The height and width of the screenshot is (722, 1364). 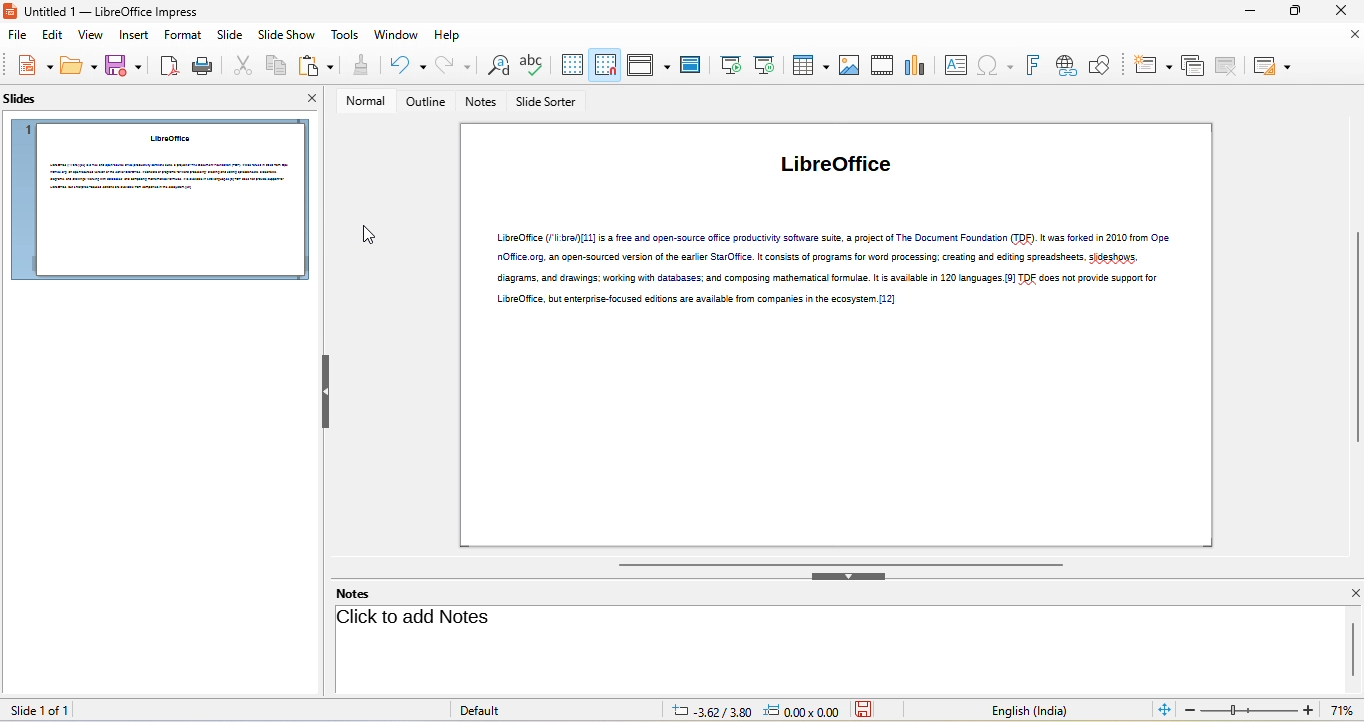 What do you see at coordinates (14, 35) in the screenshot?
I see `file` at bounding box center [14, 35].